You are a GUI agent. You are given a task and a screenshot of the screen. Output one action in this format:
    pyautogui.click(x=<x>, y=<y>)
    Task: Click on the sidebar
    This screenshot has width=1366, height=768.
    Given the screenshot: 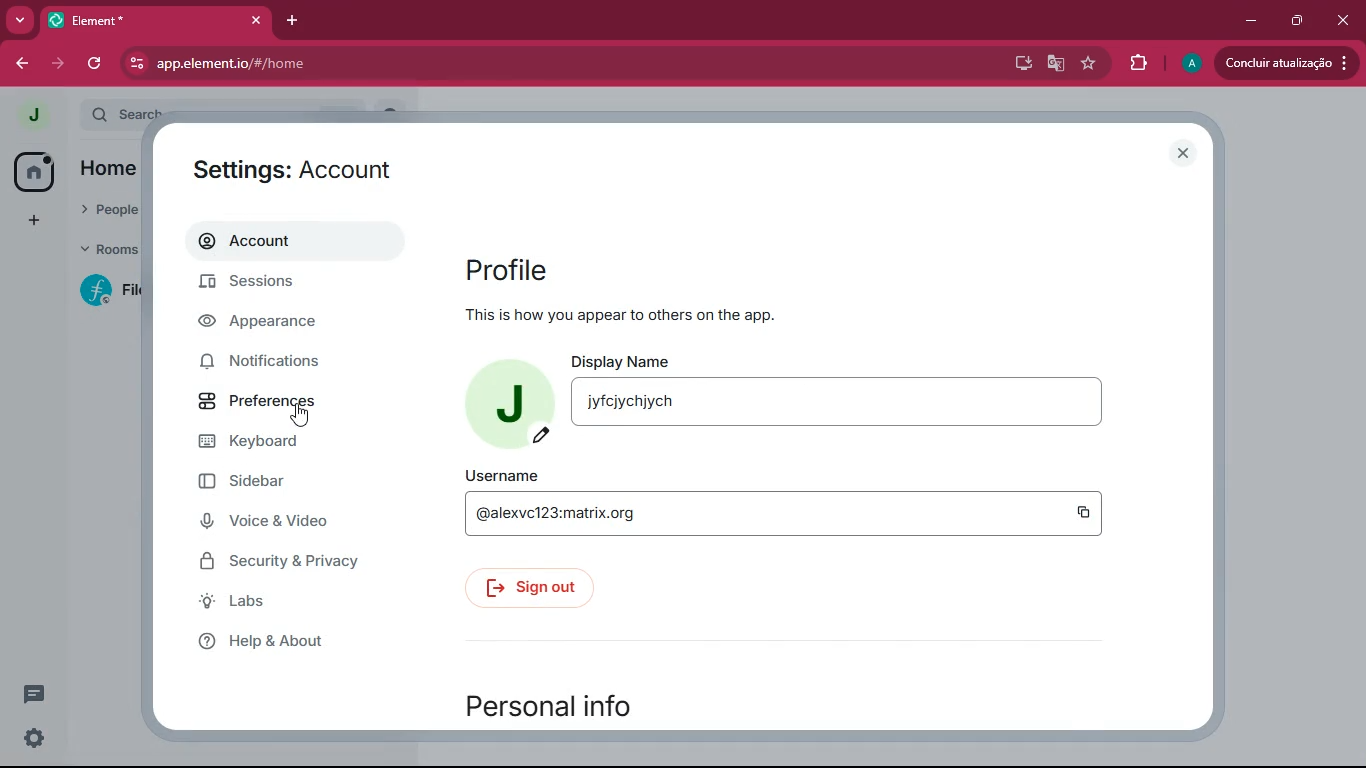 What is the action you would take?
    pyautogui.click(x=271, y=484)
    